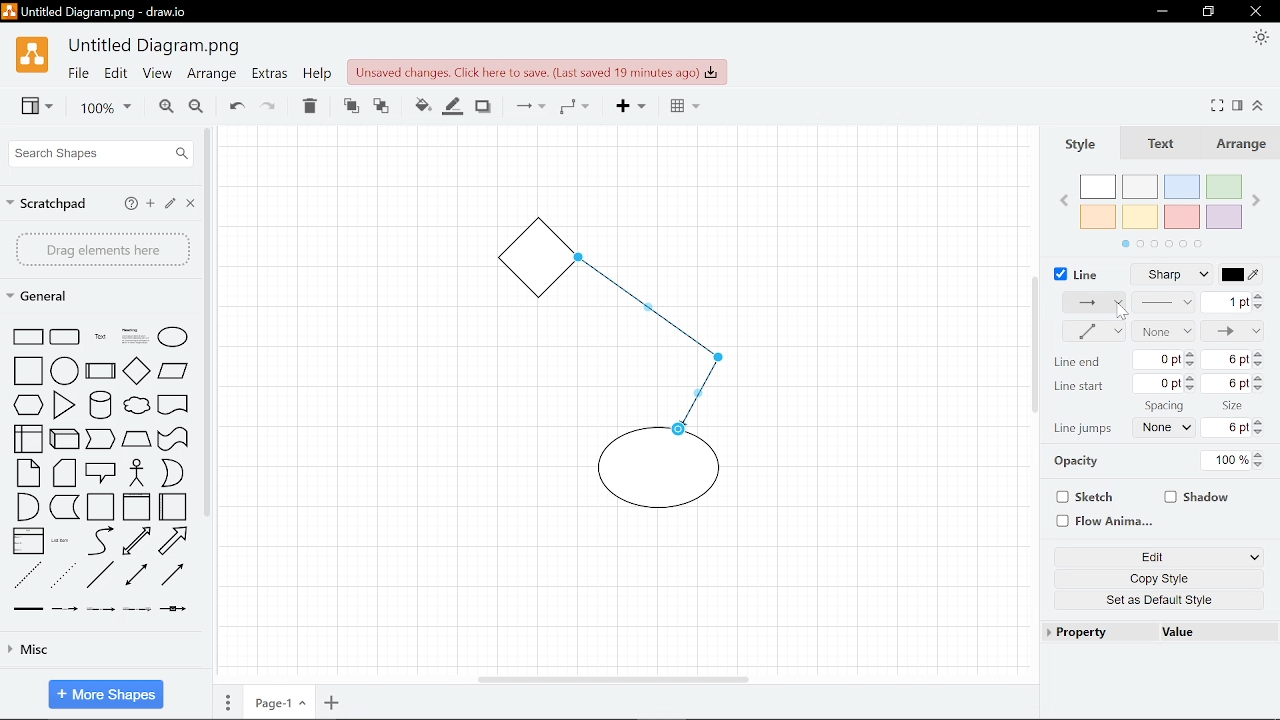 The image size is (1280, 720). Describe the element at coordinates (270, 106) in the screenshot. I see `Redo` at that location.